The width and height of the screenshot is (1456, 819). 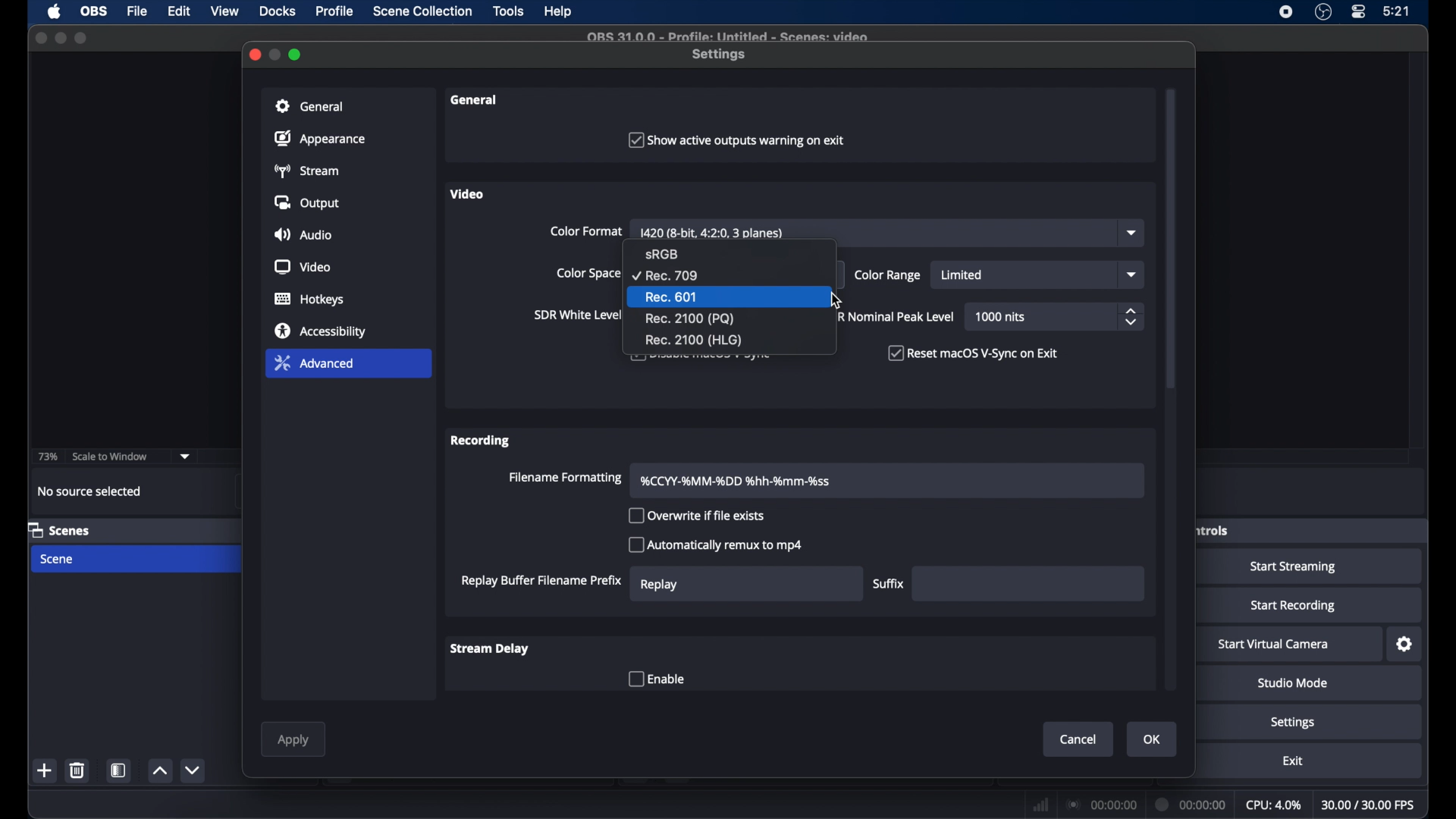 What do you see at coordinates (309, 299) in the screenshot?
I see `hotkeys` at bounding box center [309, 299].